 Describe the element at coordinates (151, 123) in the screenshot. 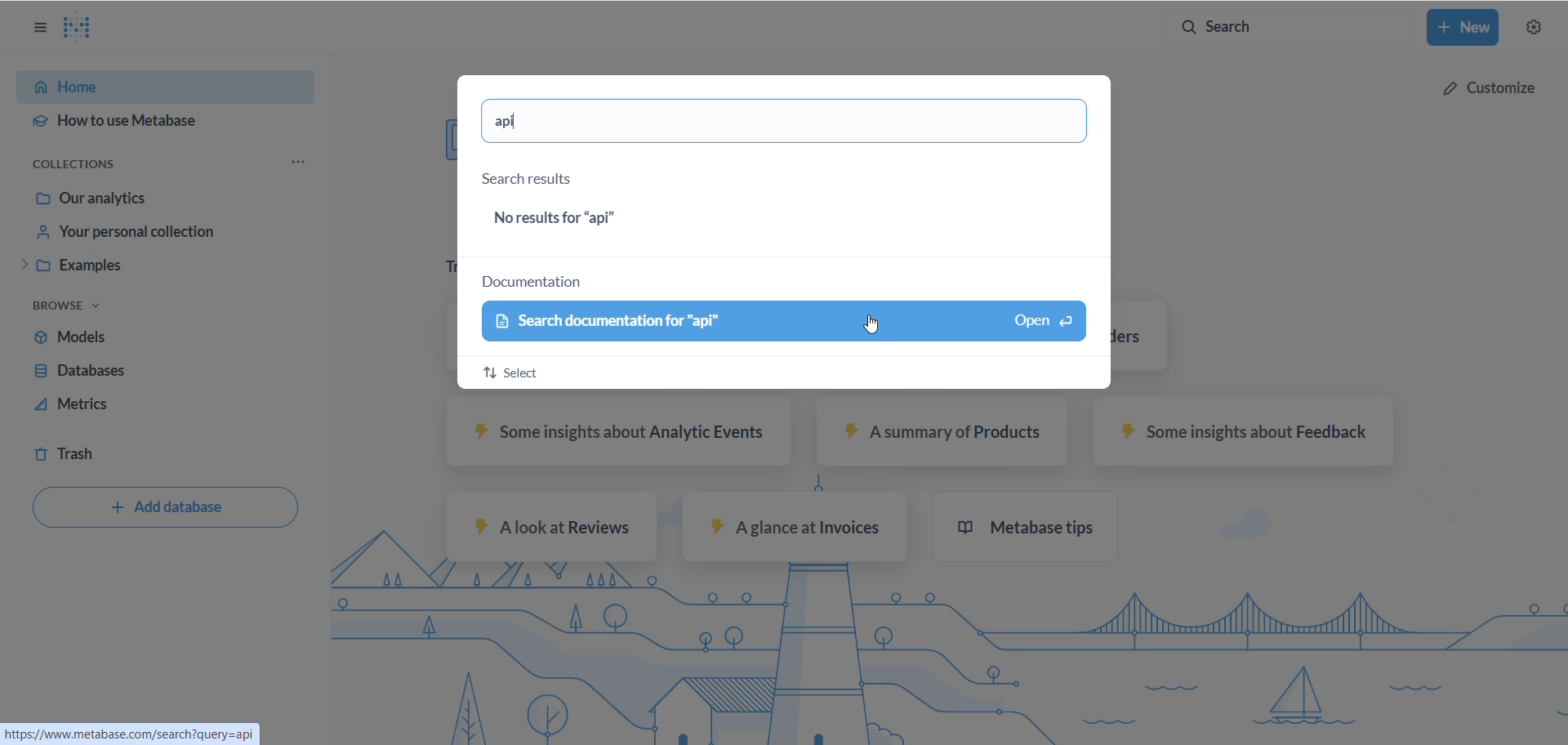

I see `HOW TO USE METABASE` at that location.